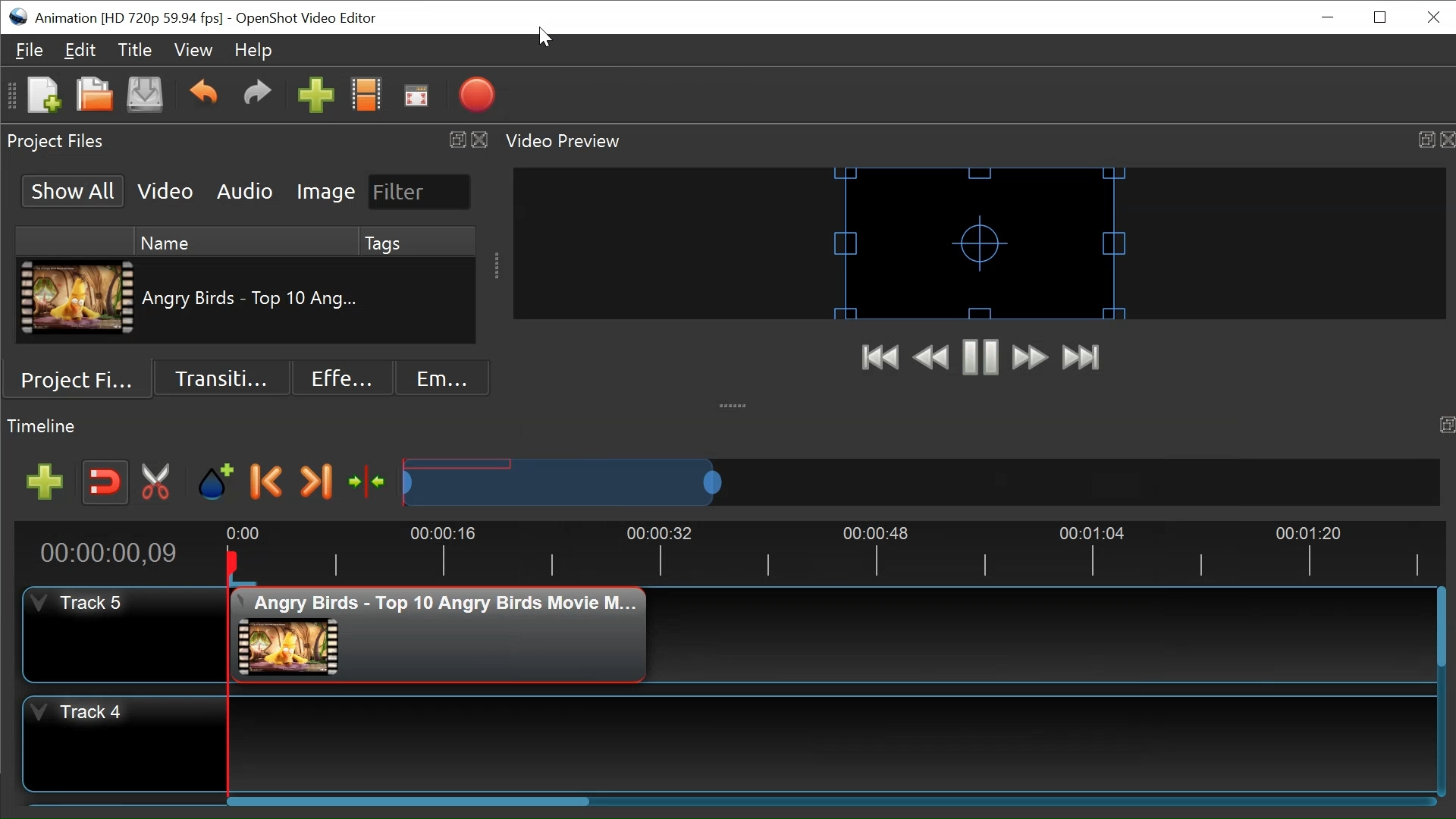  What do you see at coordinates (306, 19) in the screenshot?
I see `OpenShot Video Editor` at bounding box center [306, 19].